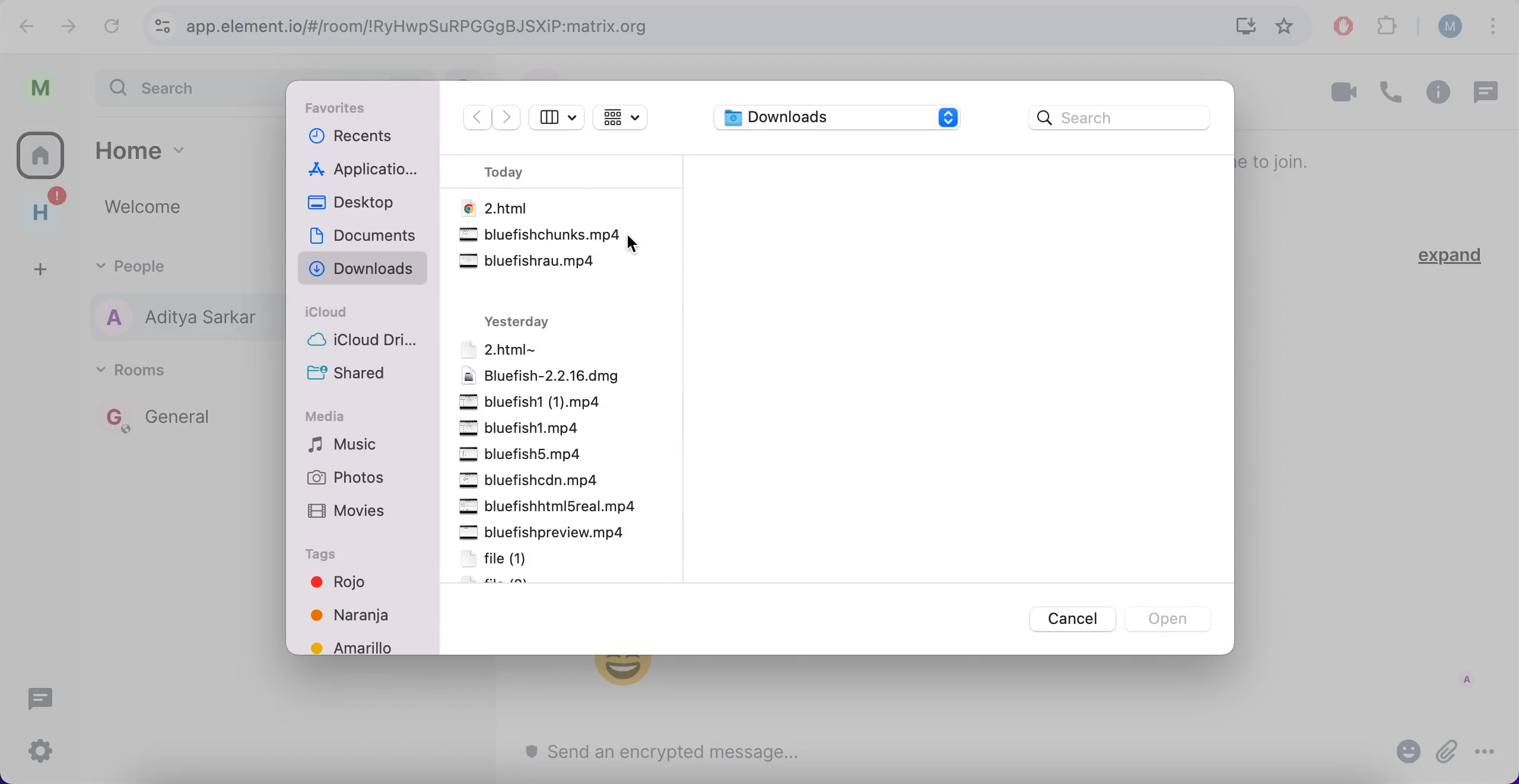  What do you see at coordinates (42, 206) in the screenshot?
I see `home` at bounding box center [42, 206].